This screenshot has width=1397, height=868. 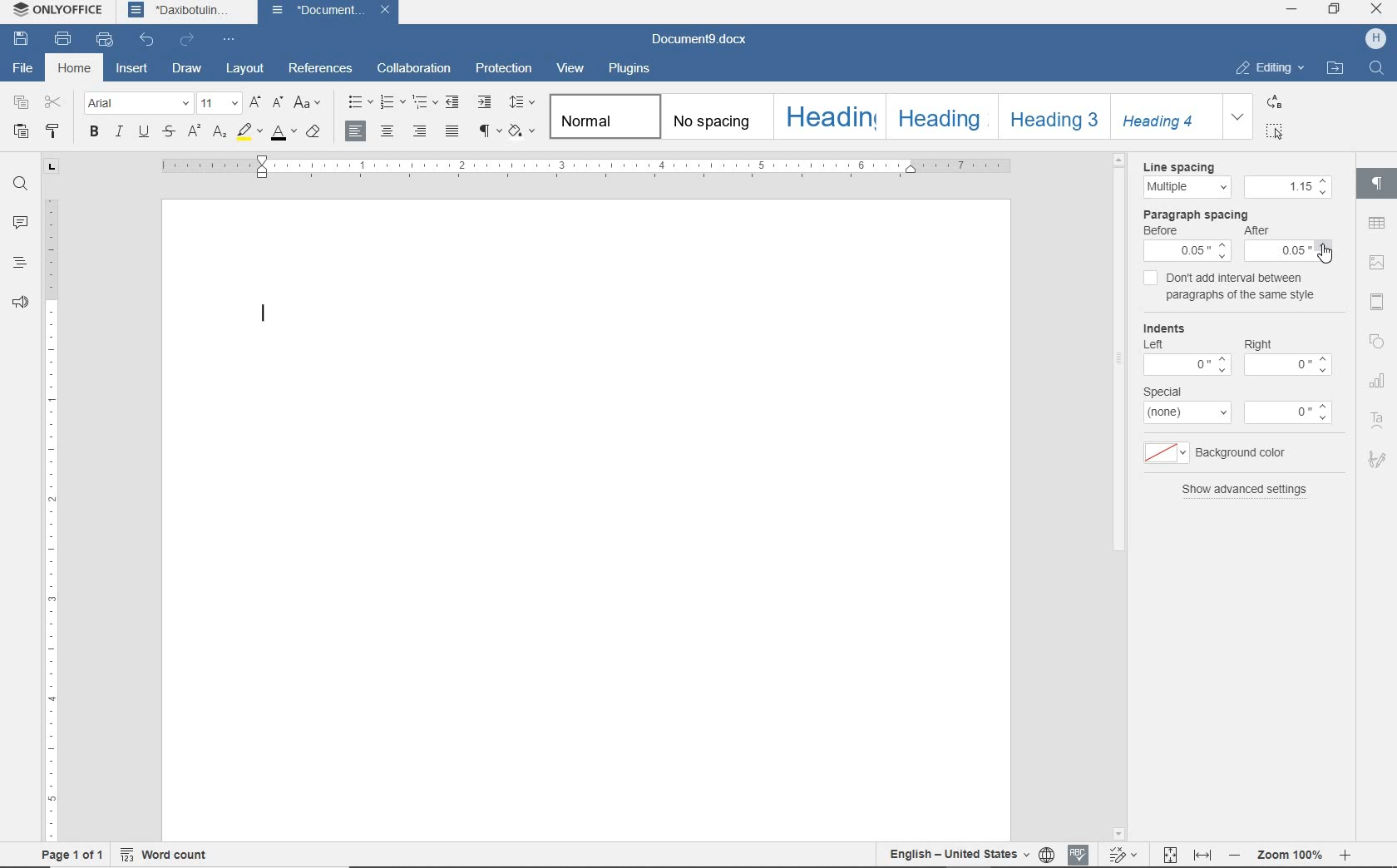 I want to click on paragraph spacing, so click(x=1195, y=215).